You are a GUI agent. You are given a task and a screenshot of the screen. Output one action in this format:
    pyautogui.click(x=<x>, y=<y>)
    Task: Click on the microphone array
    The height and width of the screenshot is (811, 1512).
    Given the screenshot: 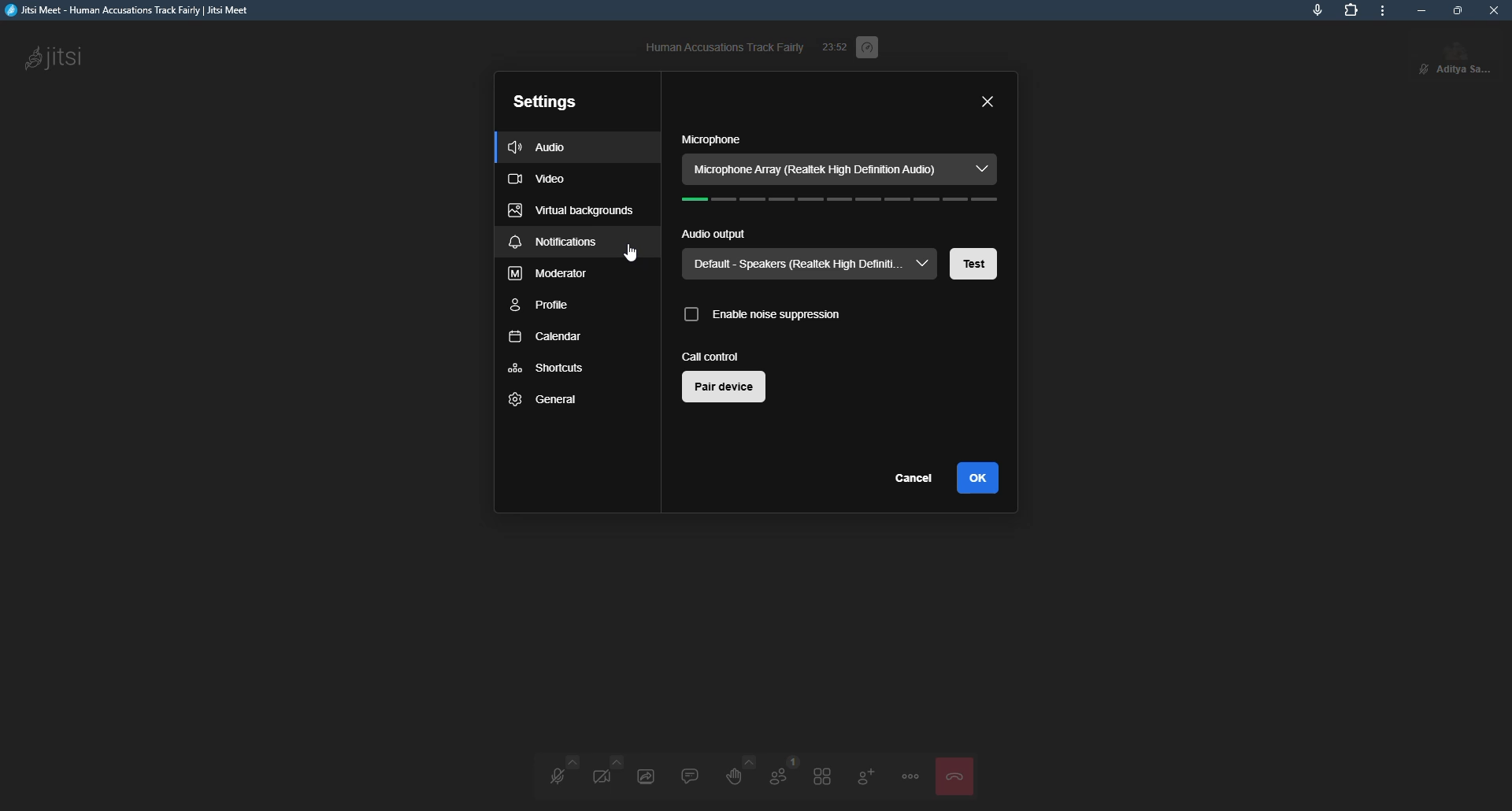 What is the action you would take?
    pyautogui.click(x=842, y=168)
    